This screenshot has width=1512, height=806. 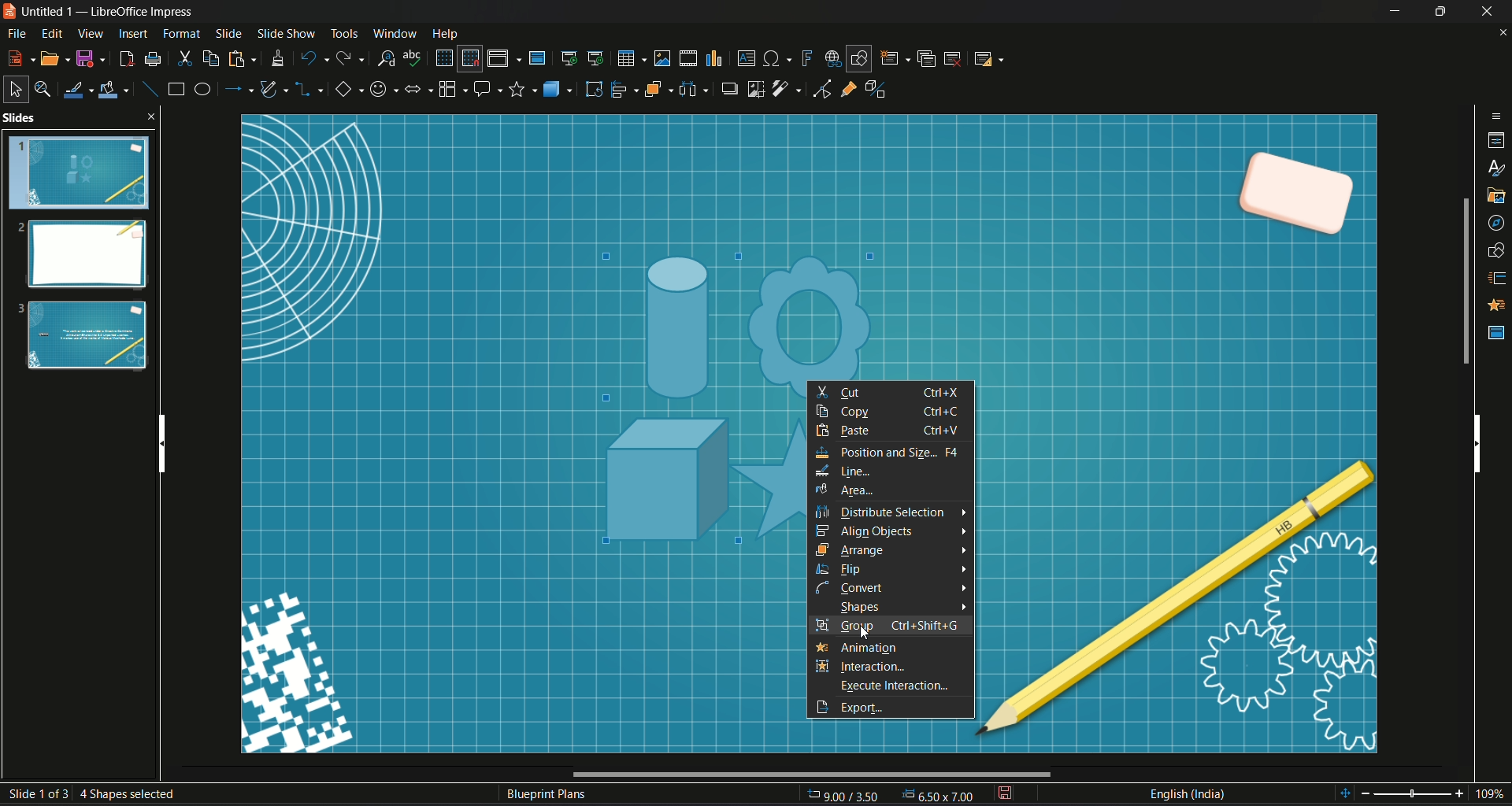 I want to click on Slides, so click(x=80, y=246).